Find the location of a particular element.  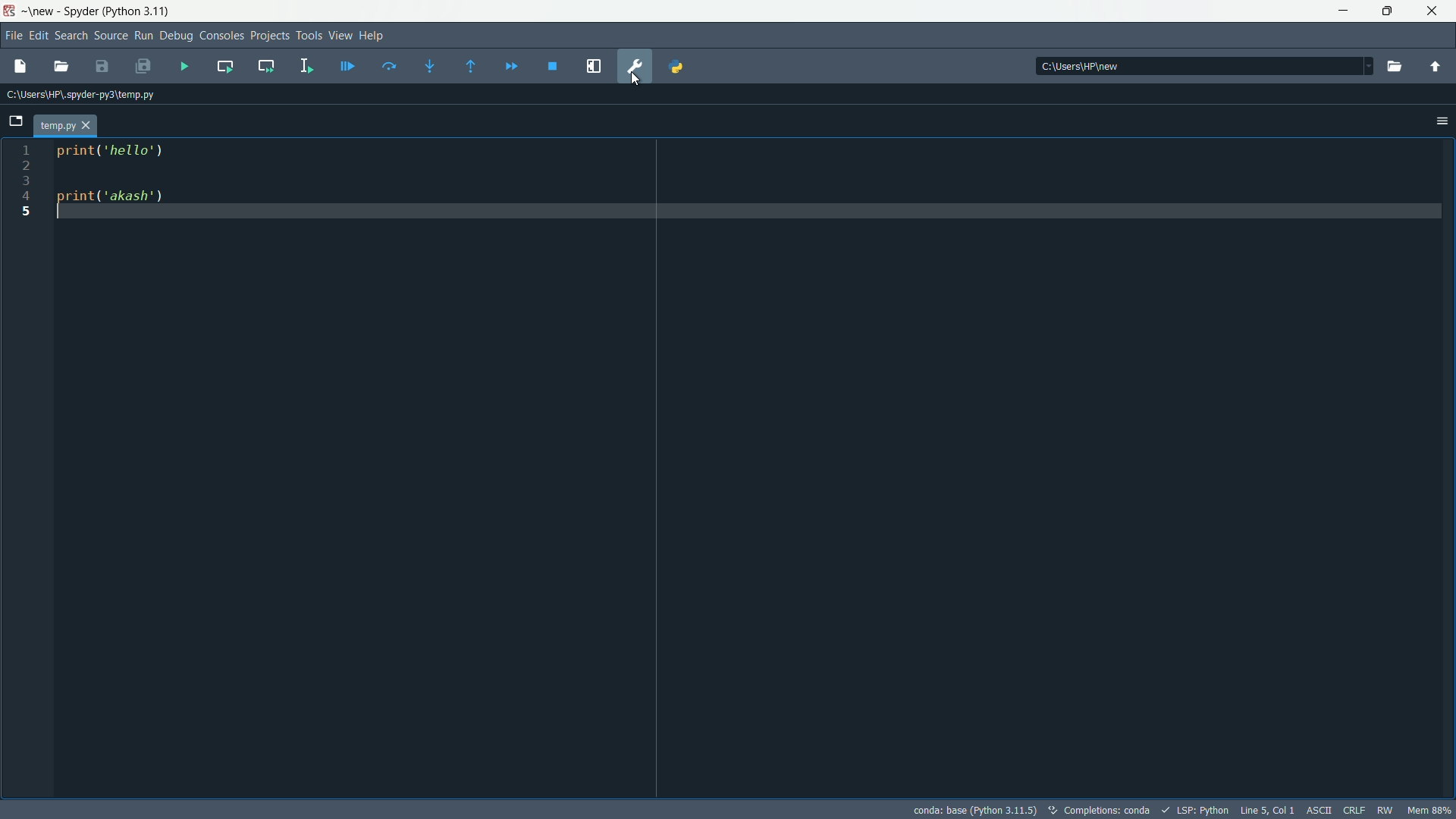

4 is located at coordinates (29, 199).